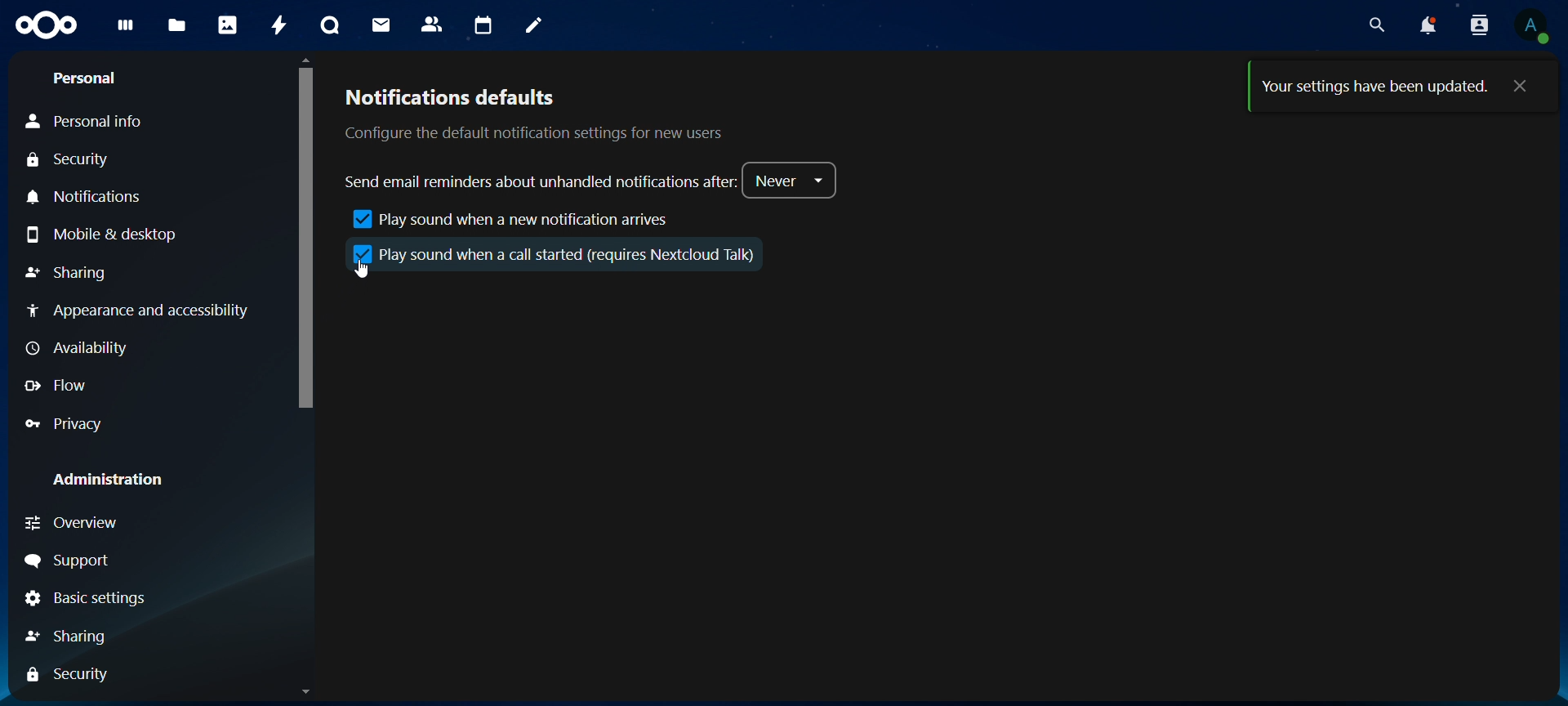 This screenshot has height=706, width=1568. I want to click on Availability, so click(73, 350).